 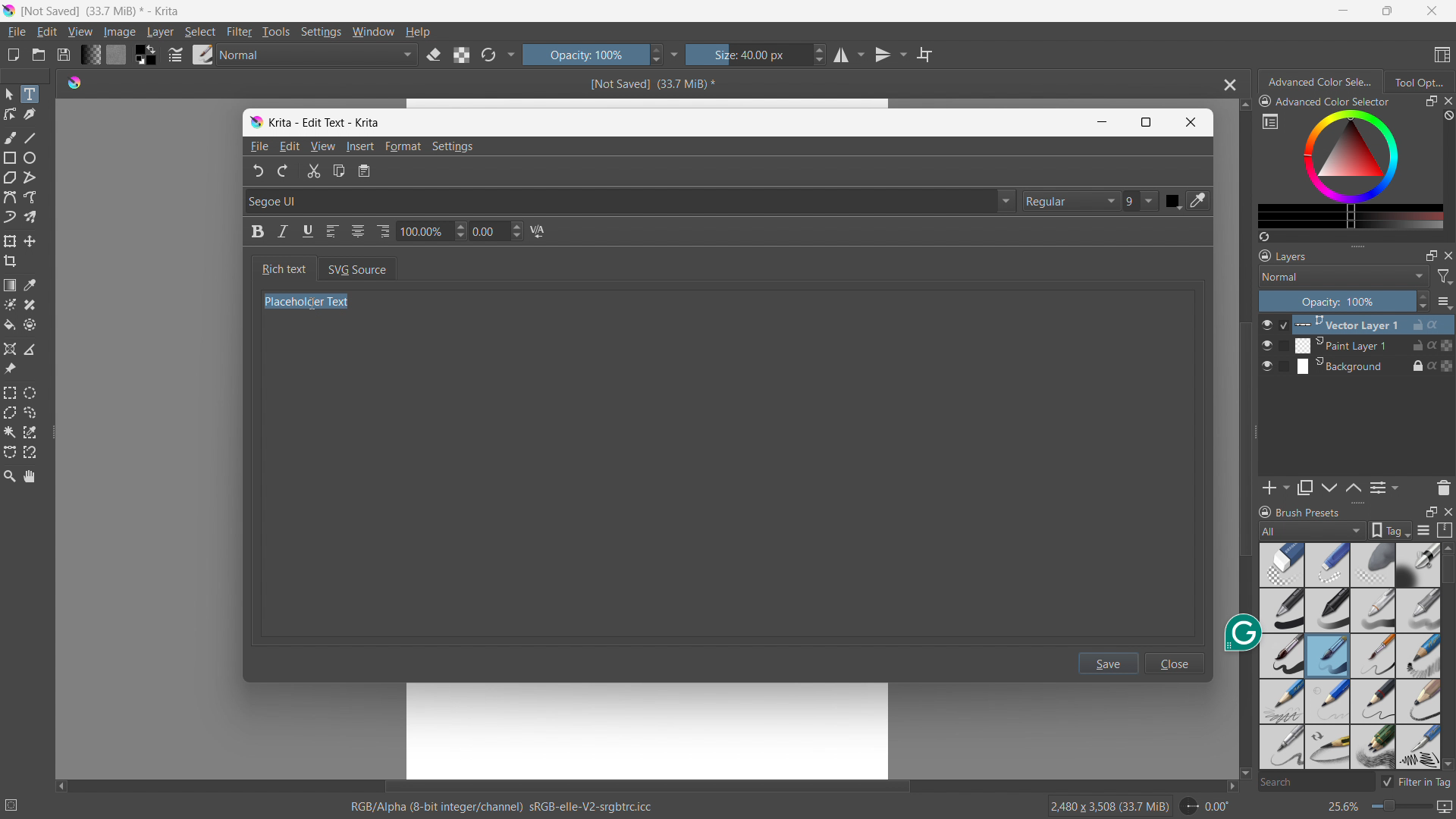 I want to click on polyline tool, so click(x=30, y=179).